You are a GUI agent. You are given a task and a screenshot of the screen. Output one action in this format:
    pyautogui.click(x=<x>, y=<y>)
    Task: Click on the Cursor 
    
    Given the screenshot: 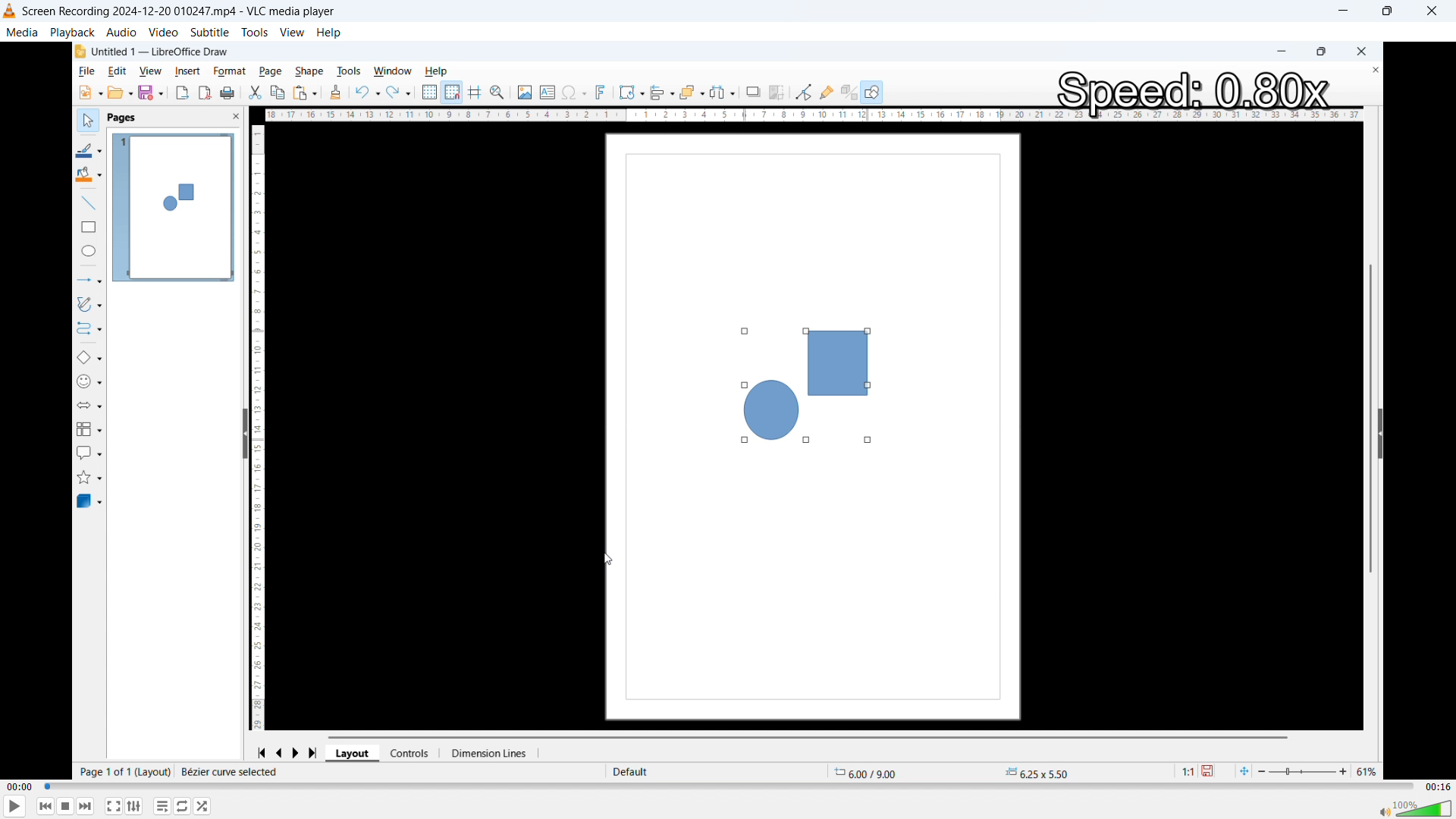 What is the action you would take?
    pyautogui.click(x=608, y=560)
    